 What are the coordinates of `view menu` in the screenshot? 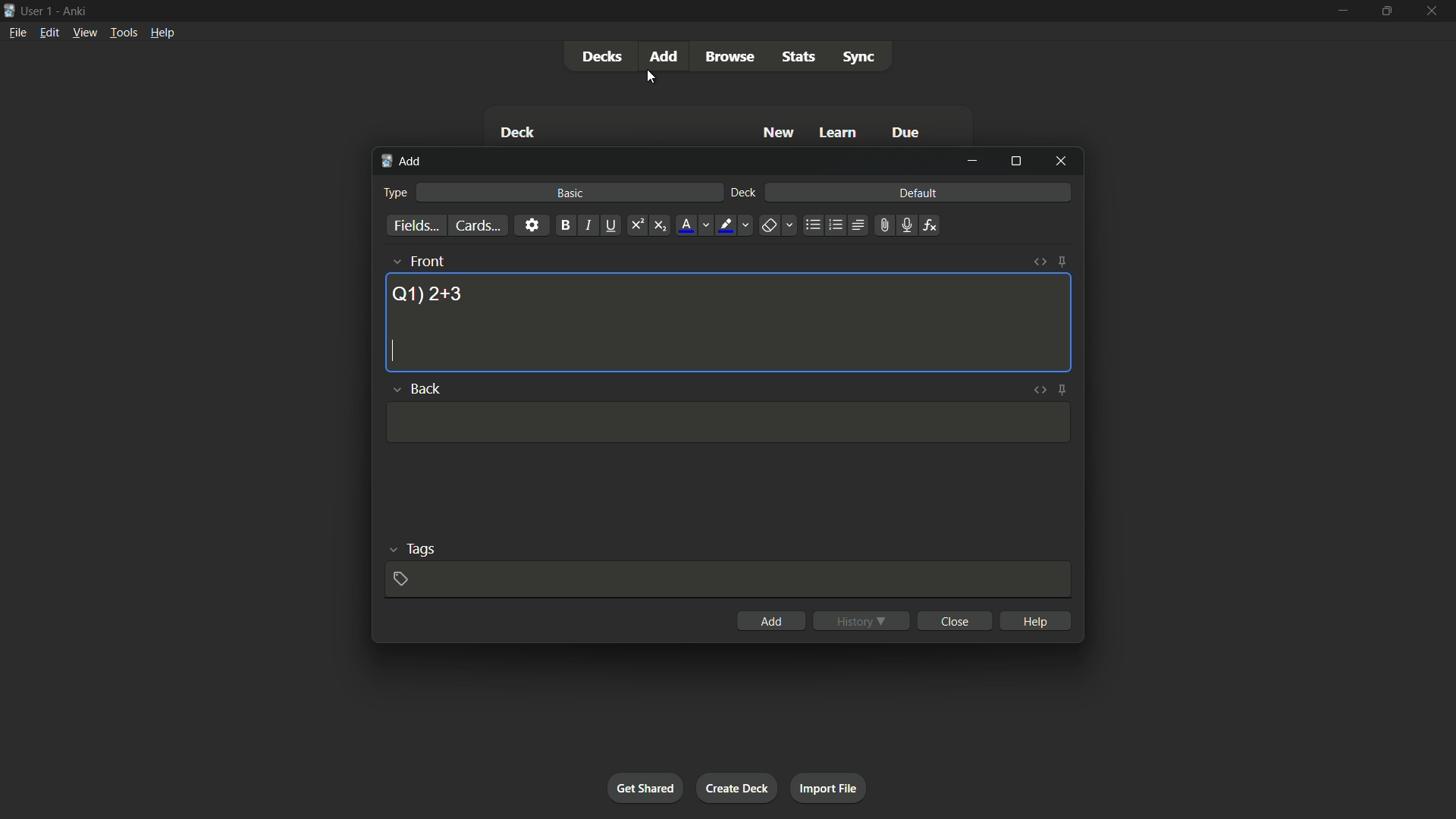 It's located at (83, 31).